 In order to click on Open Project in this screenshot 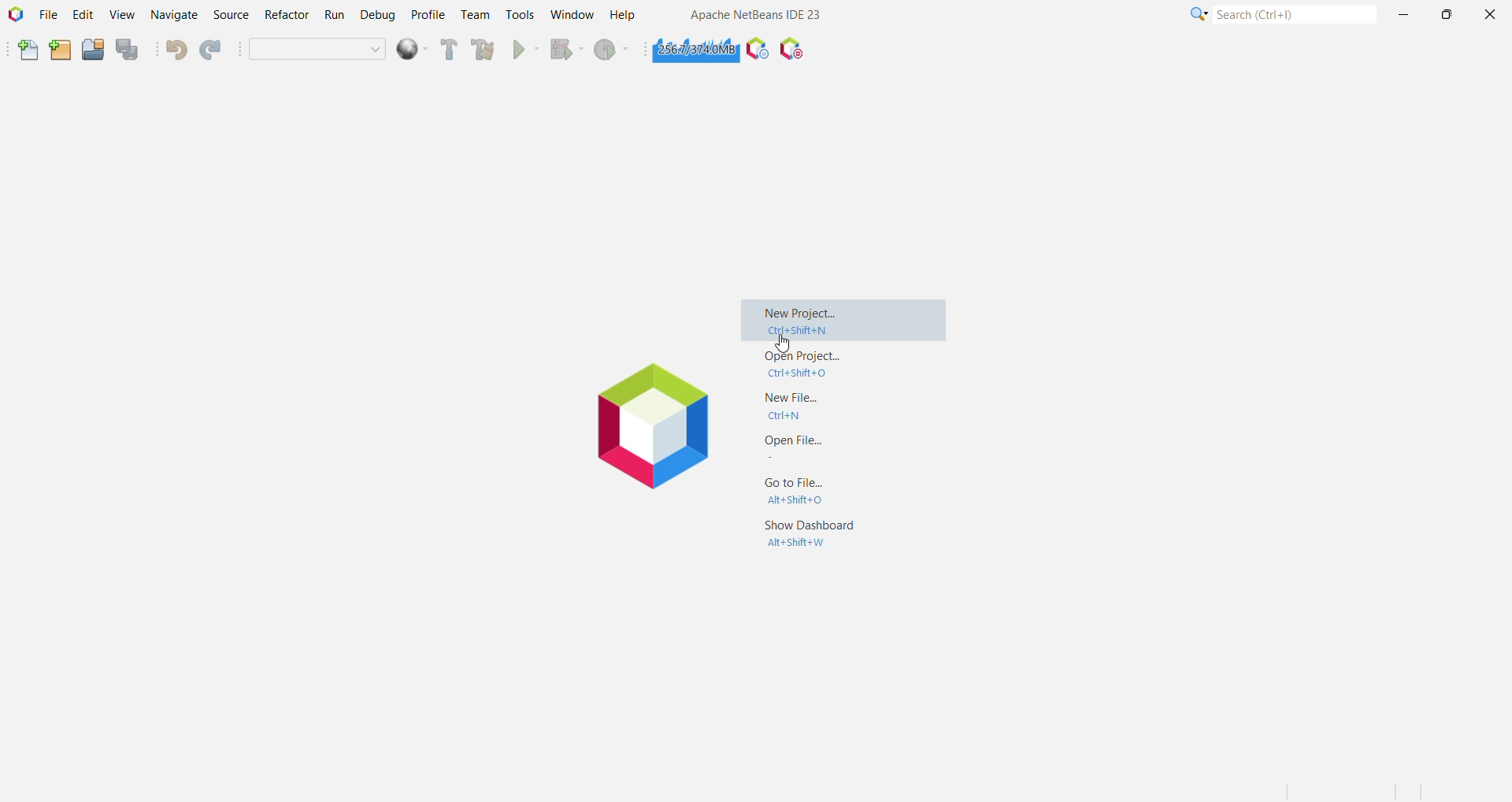, I will do `click(92, 51)`.